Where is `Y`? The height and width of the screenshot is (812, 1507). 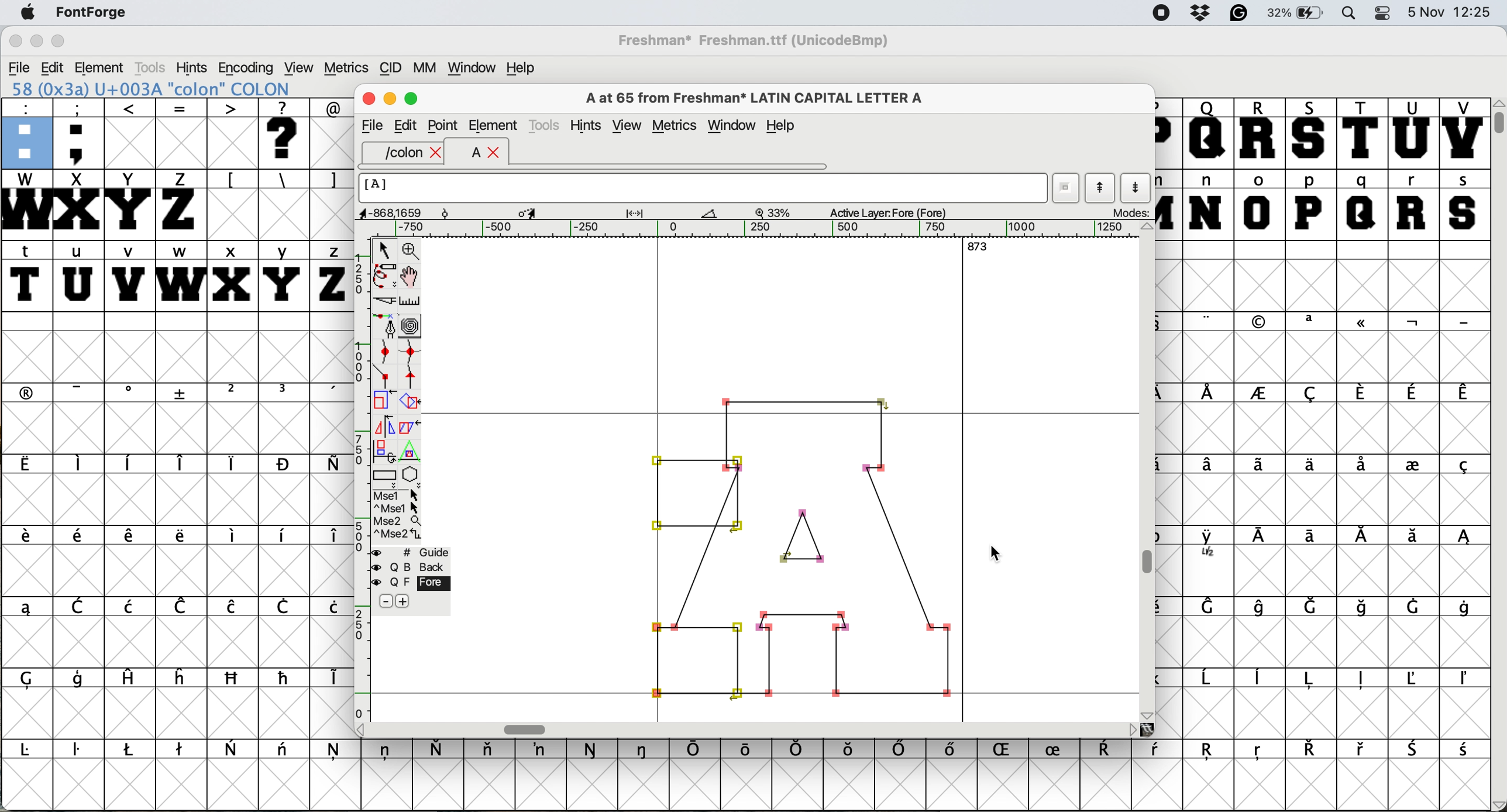 Y is located at coordinates (130, 204).